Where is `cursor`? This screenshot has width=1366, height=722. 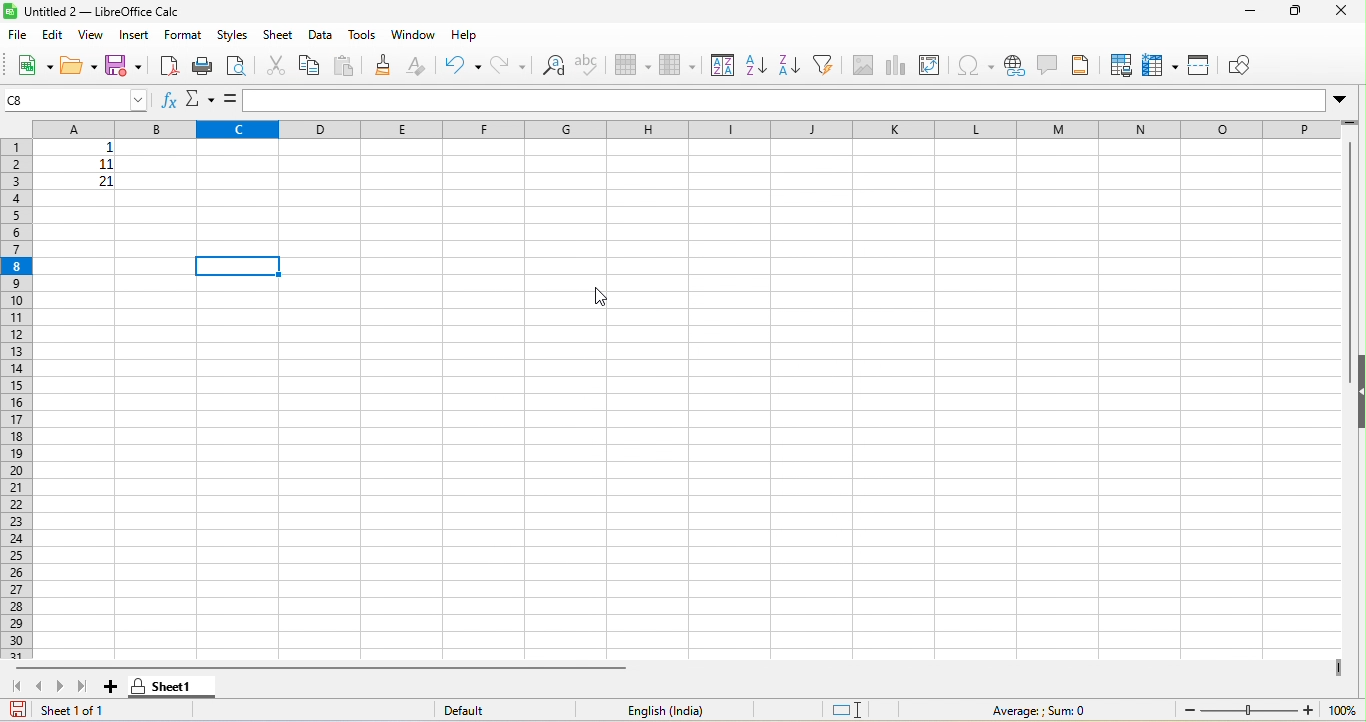 cursor is located at coordinates (598, 297).